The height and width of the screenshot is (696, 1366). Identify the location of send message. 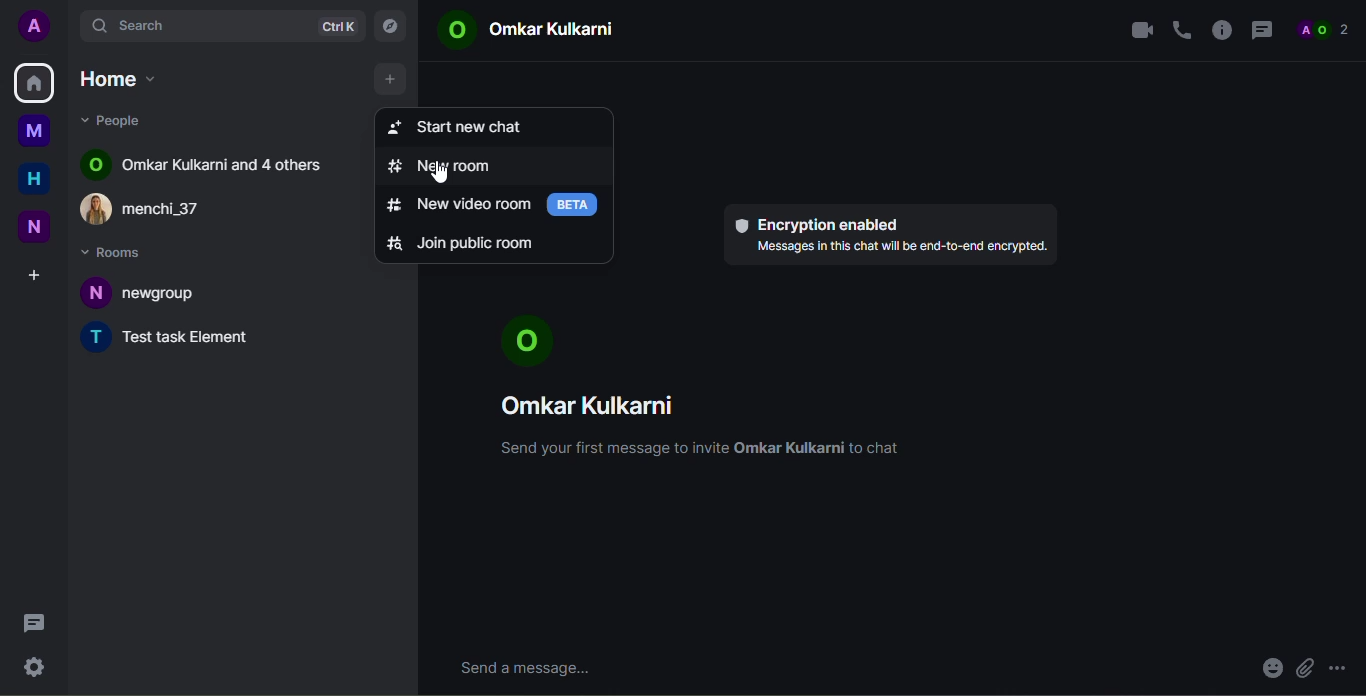
(531, 668).